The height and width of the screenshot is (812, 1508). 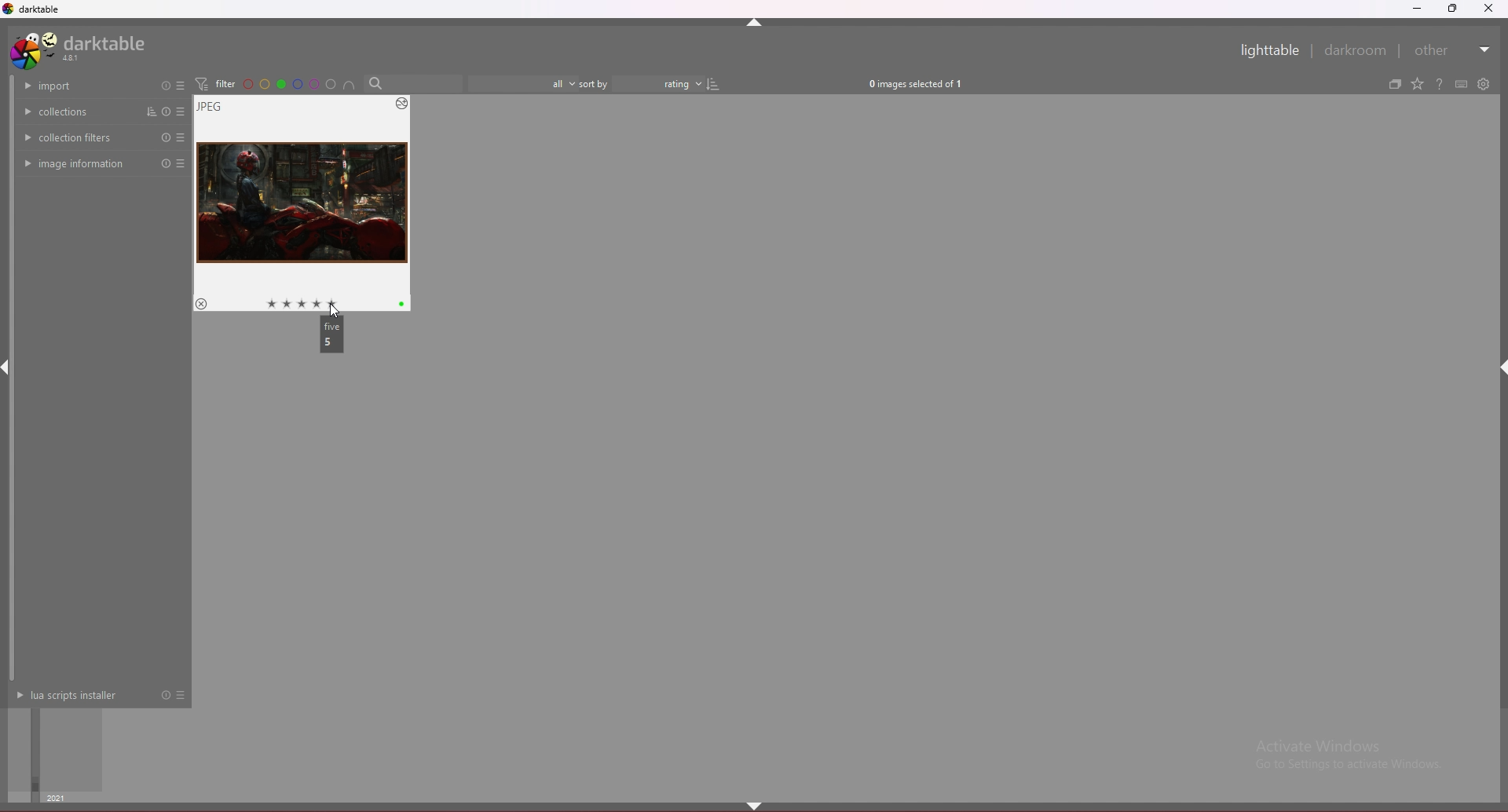 I want to click on 0 images selected of 1, so click(x=916, y=84).